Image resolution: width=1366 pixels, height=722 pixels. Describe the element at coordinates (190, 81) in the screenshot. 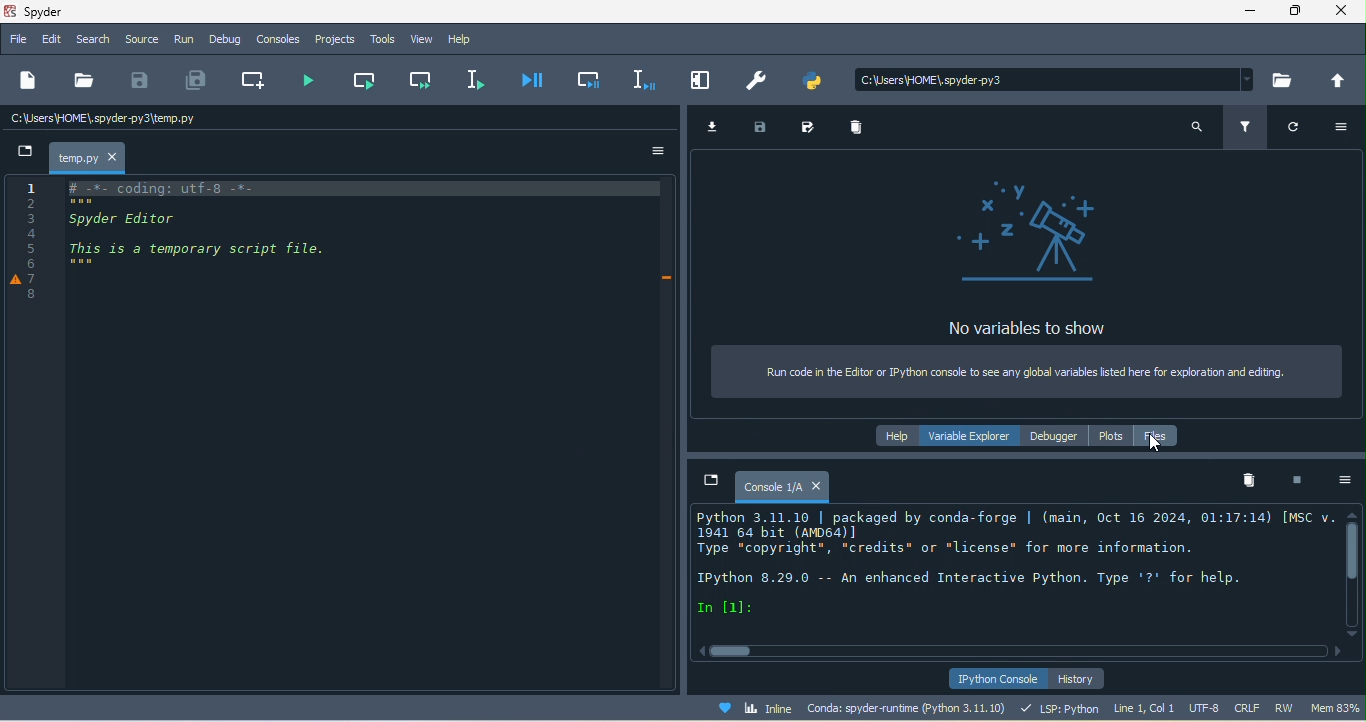

I see `save all` at that location.